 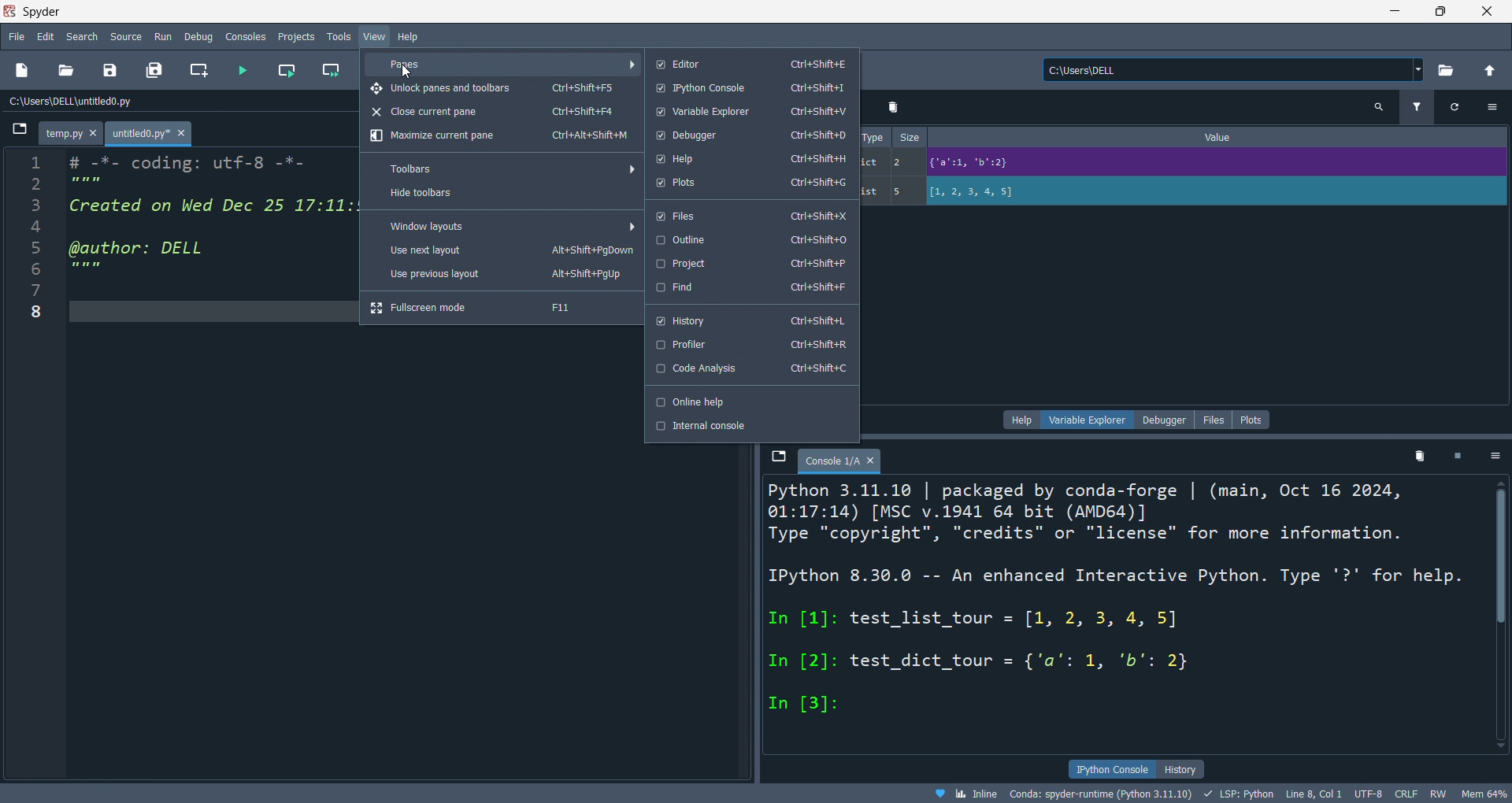 What do you see at coordinates (201, 36) in the screenshot?
I see `debug` at bounding box center [201, 36].